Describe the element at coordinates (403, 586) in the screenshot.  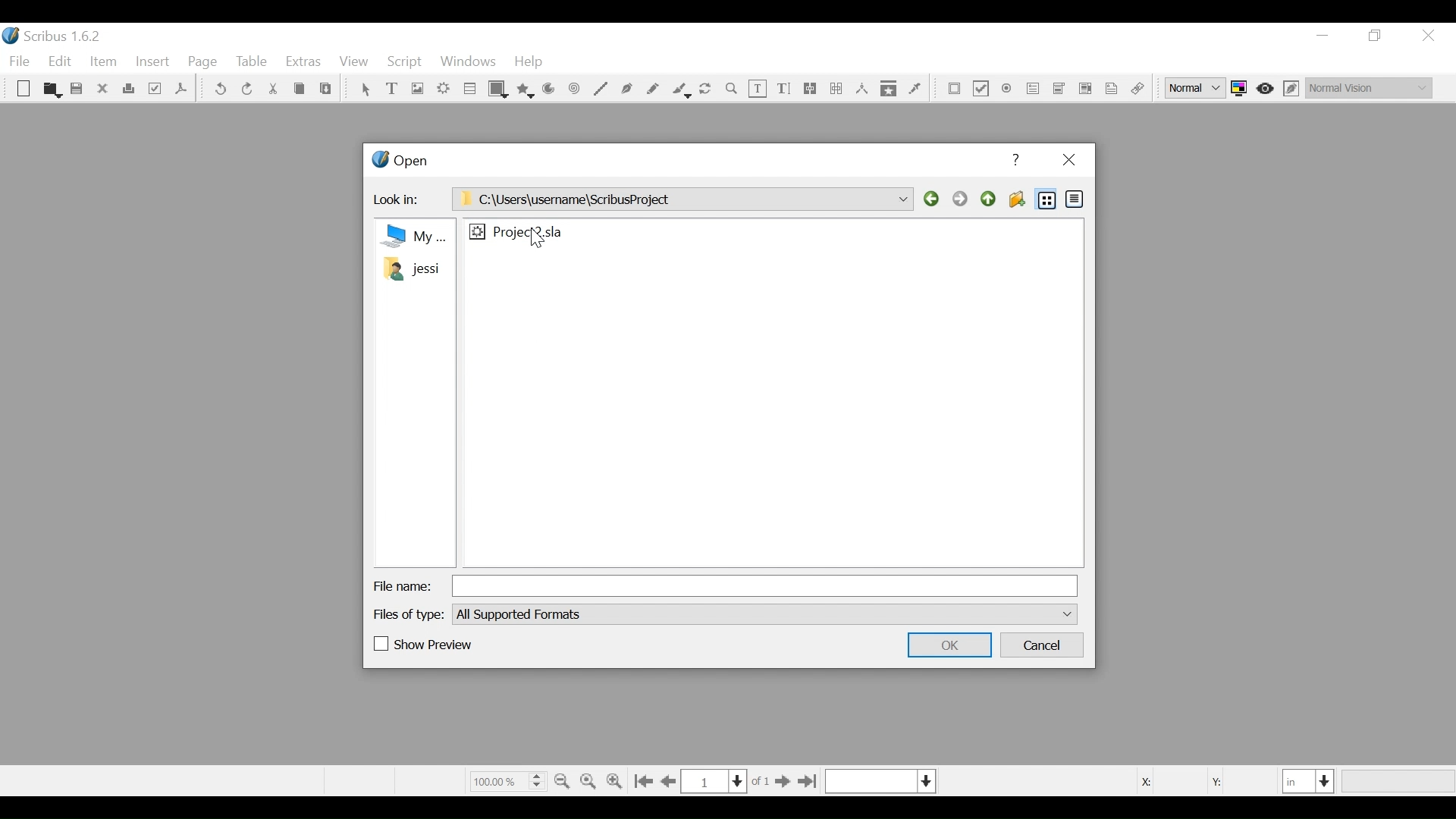
I see `File Name` at that location.